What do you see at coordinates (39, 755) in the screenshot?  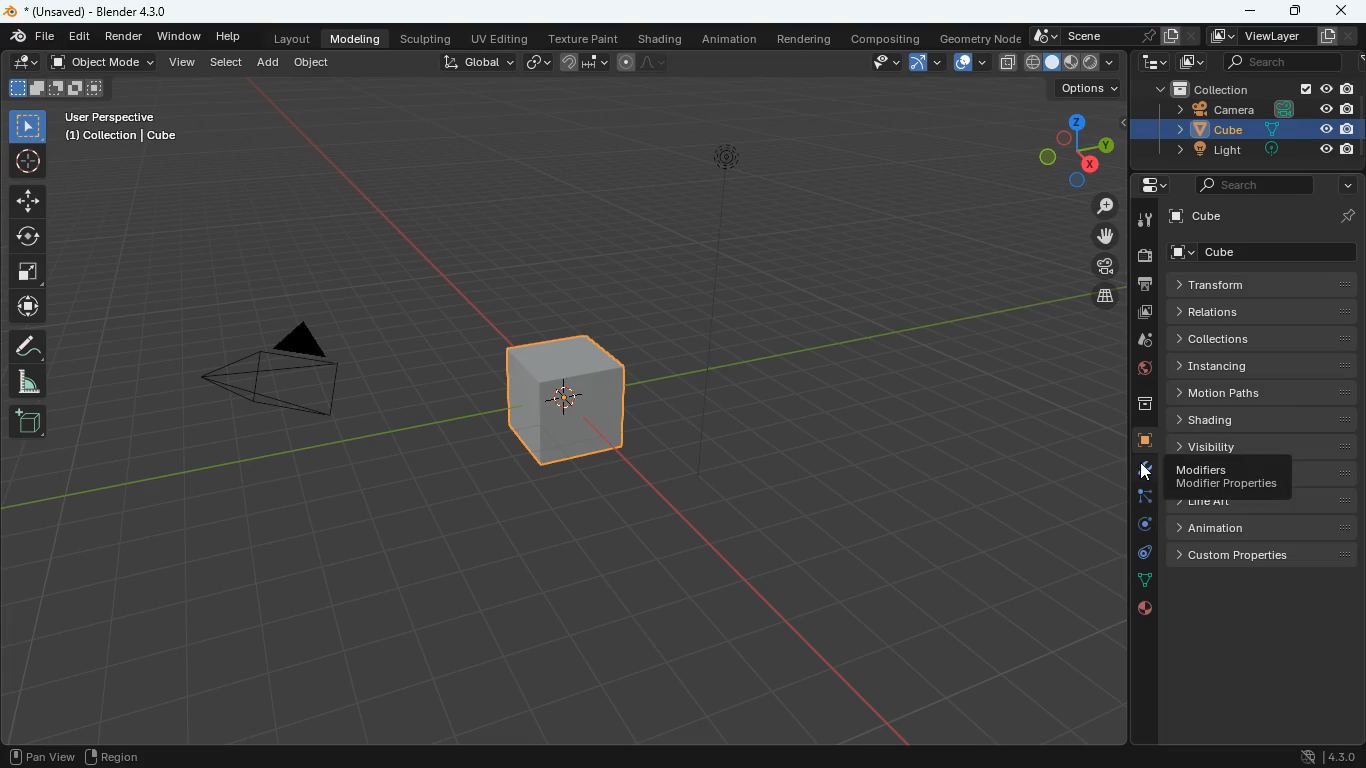 I see `pan view` at bounding box center [39, 755].